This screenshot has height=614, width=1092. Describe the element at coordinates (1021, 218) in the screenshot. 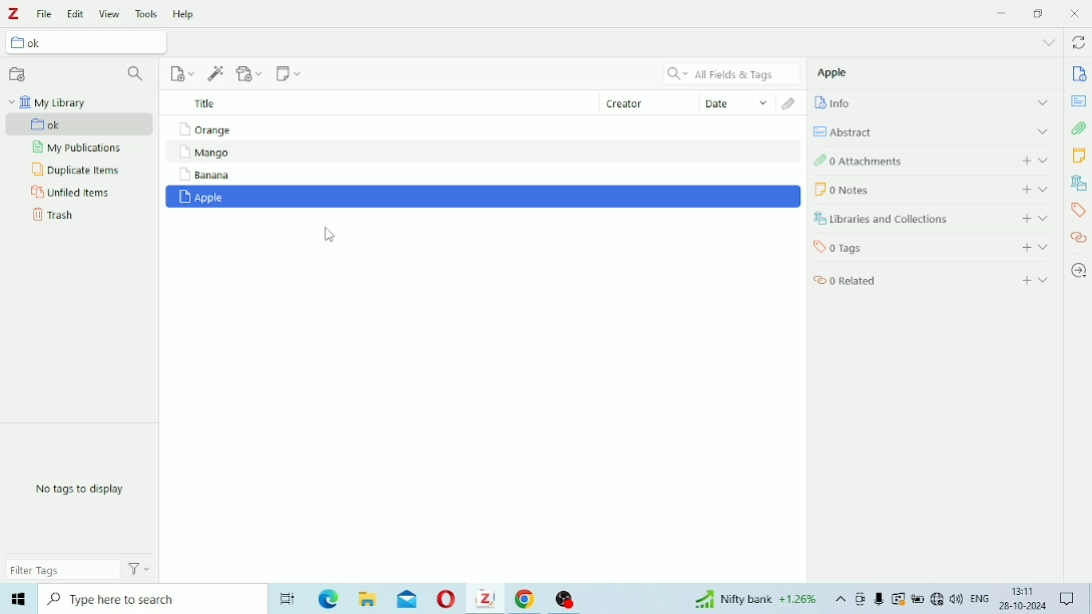

I see `add` at that location.